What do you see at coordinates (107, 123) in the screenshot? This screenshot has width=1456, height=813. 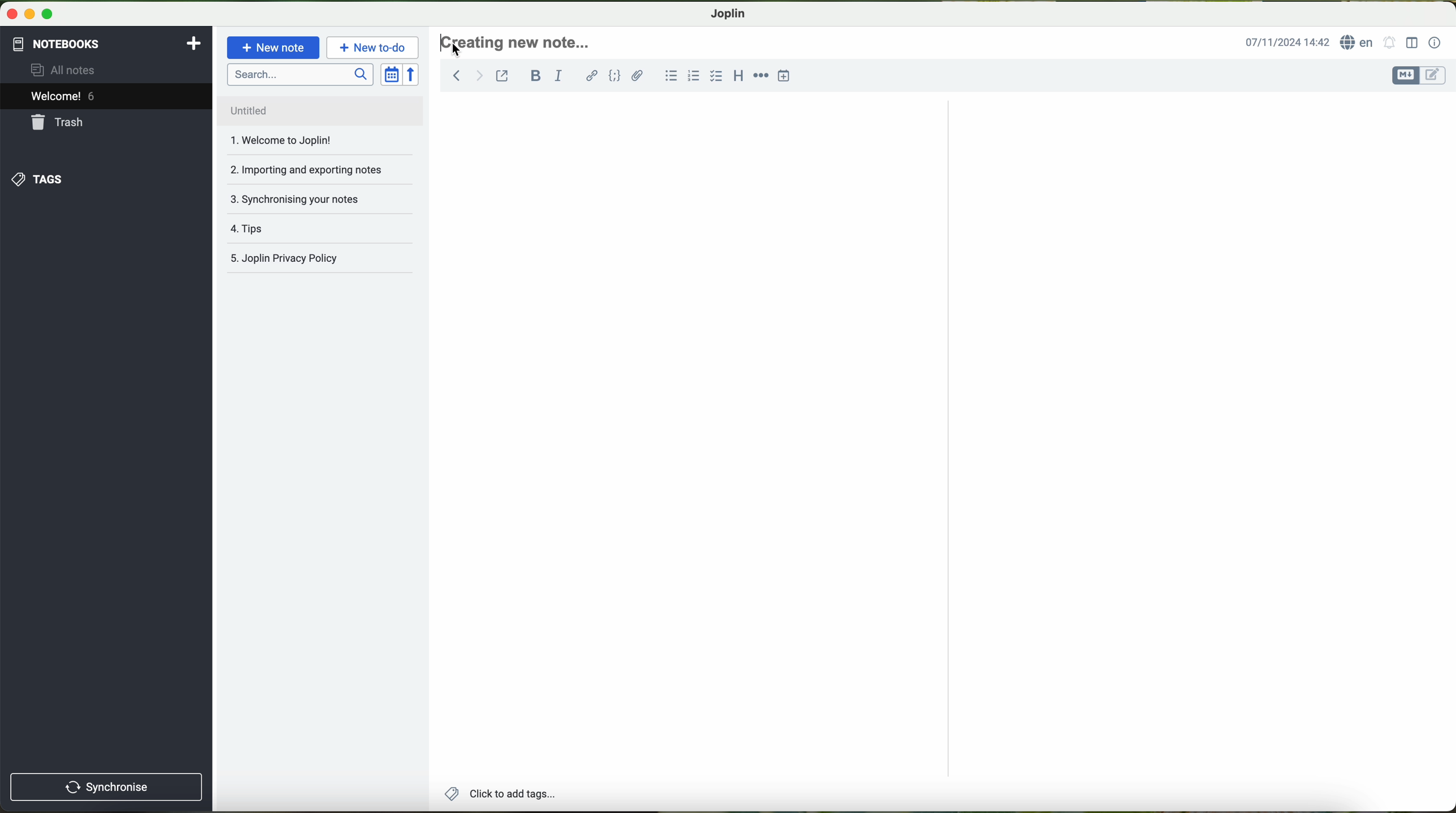 I see `trash` at bounding box center [107, 123].